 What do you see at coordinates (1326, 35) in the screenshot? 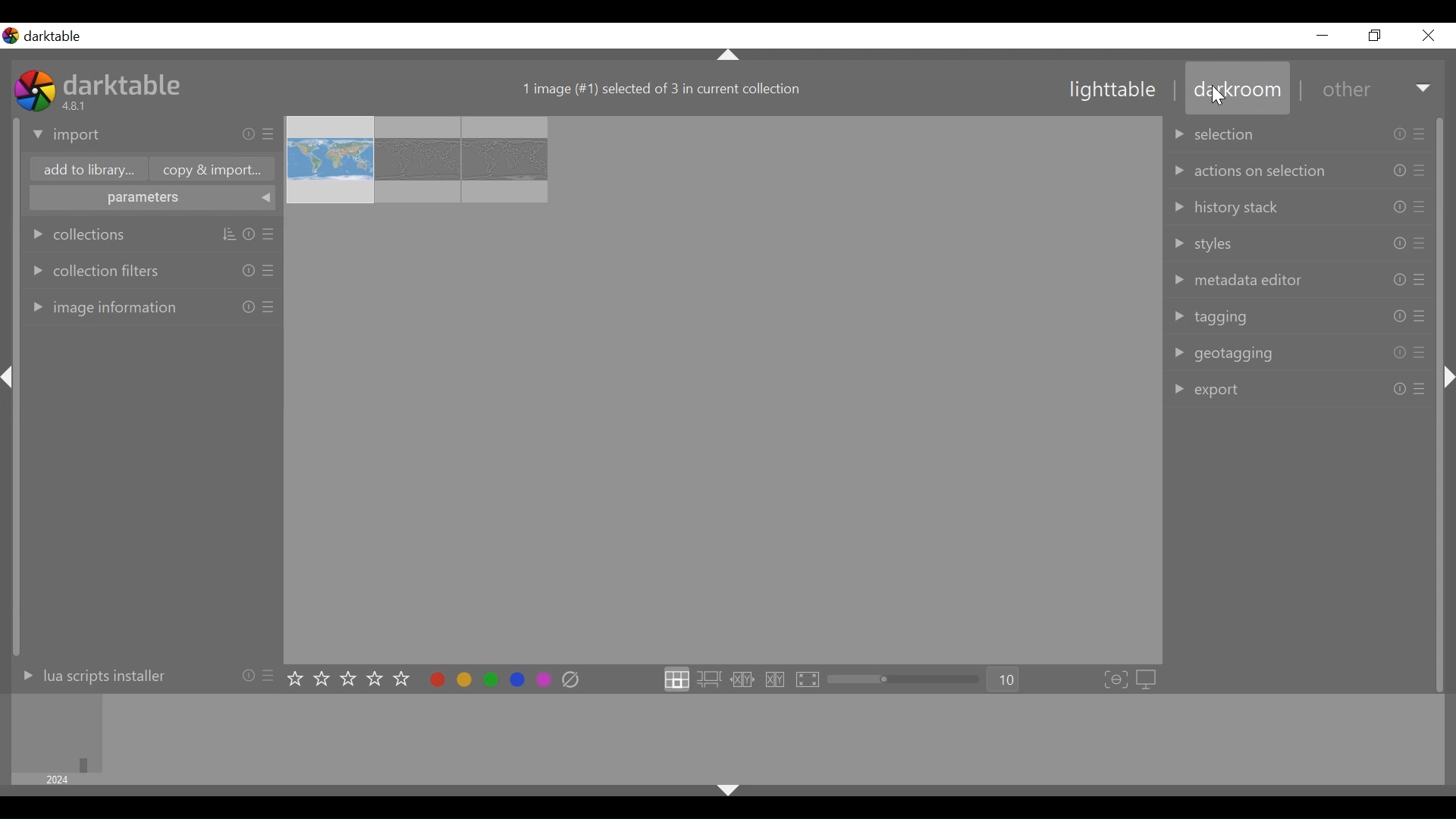
I see `minimize` at bounding box center [1326, 35].